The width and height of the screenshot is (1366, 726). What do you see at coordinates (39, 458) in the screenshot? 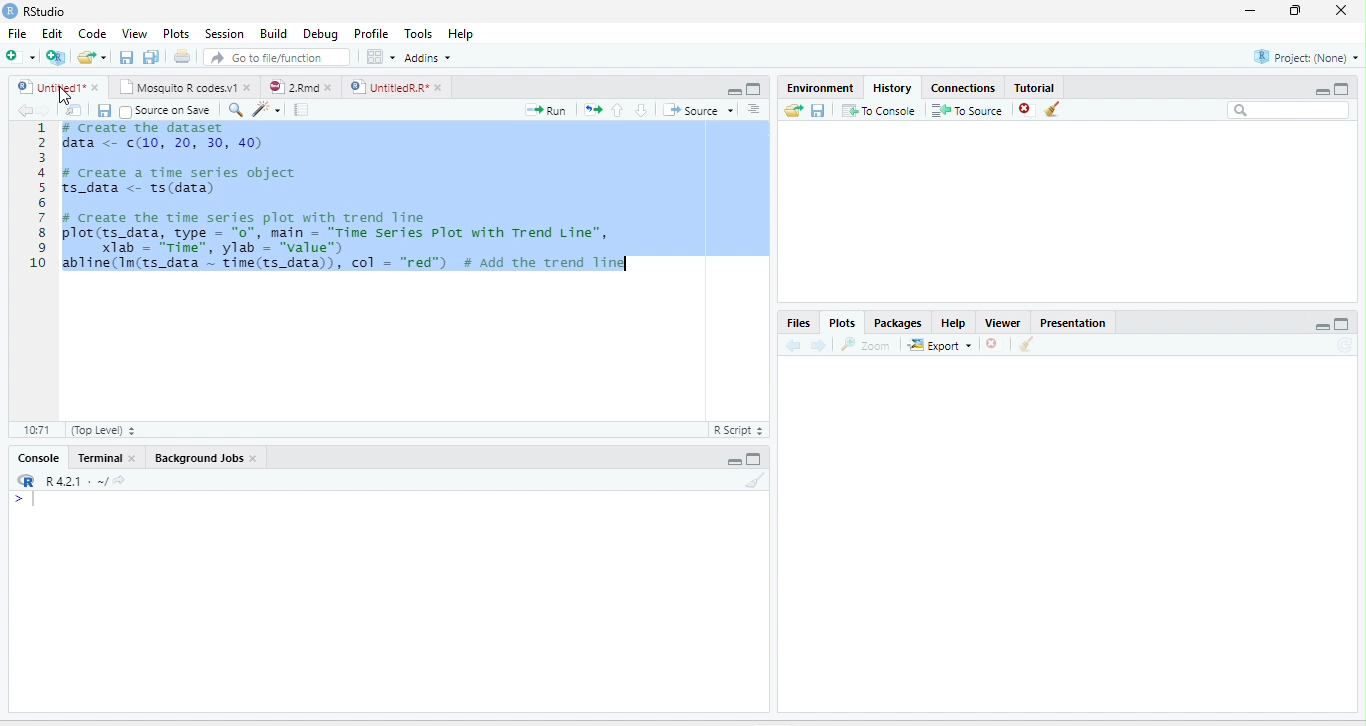
I see `Console` at bounding box center [39, 458].